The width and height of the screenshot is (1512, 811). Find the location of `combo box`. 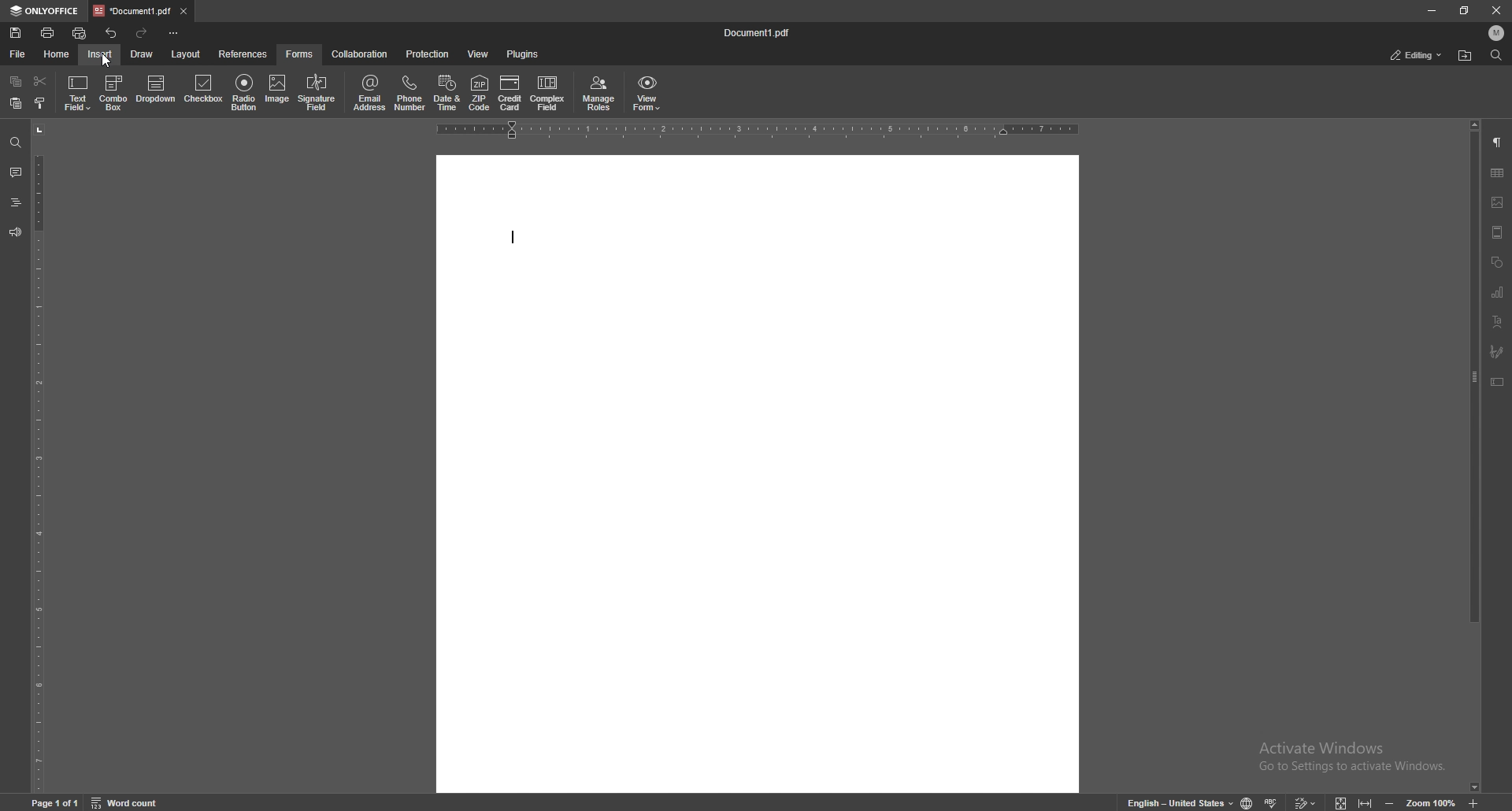

combo box is located at coordinates (113, 93).